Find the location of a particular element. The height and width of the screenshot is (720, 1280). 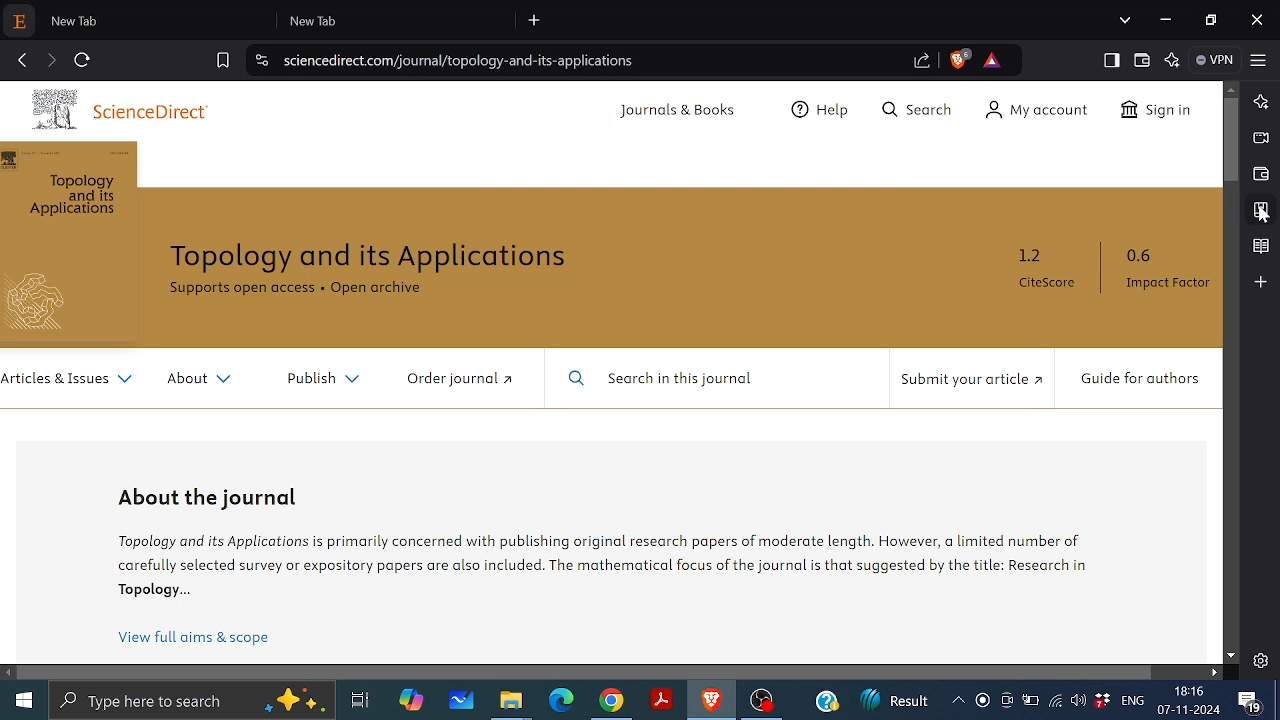

Leo AI is located at coordinates (1171, 59).